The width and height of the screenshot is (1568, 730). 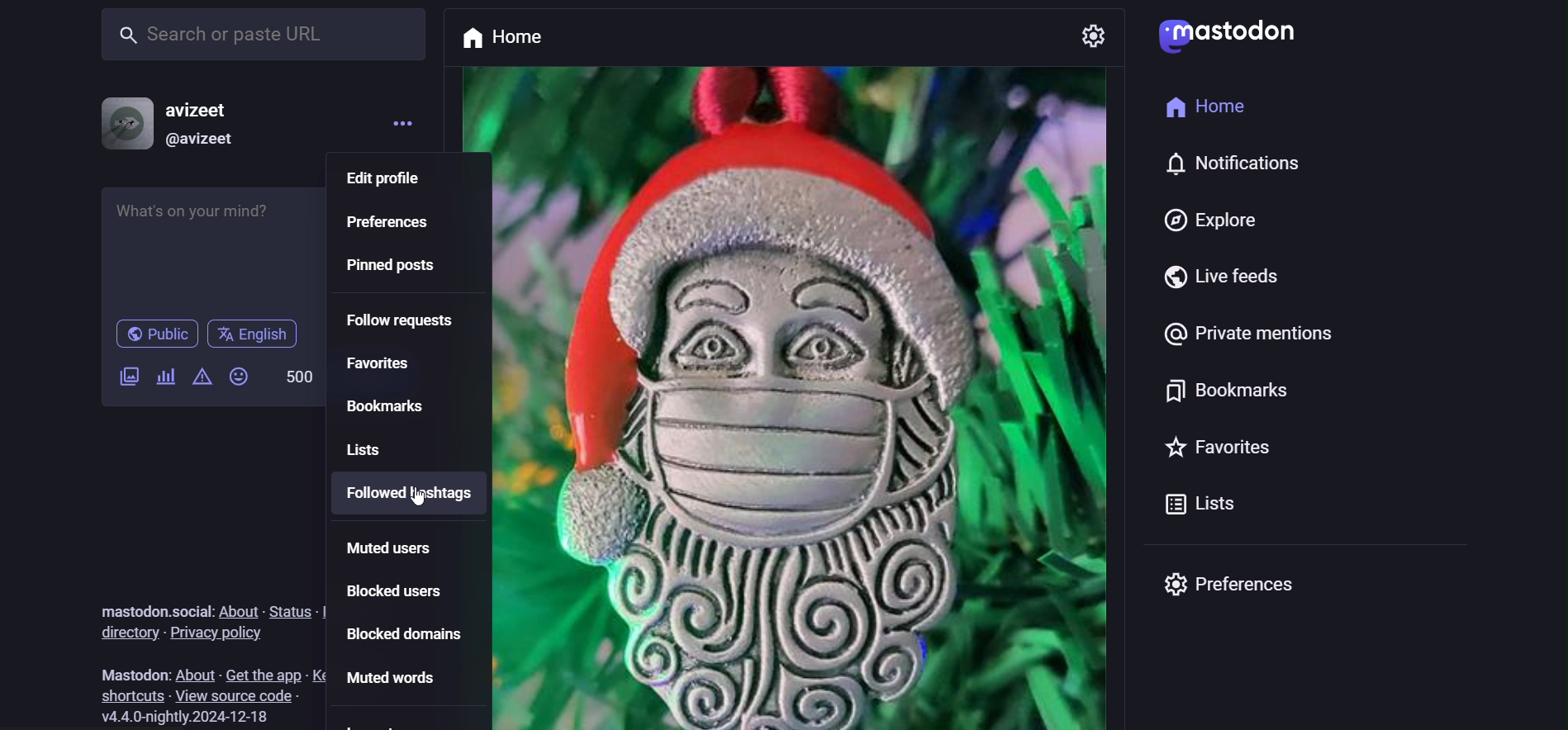 I want to click on public, so click(x=152, y=334).